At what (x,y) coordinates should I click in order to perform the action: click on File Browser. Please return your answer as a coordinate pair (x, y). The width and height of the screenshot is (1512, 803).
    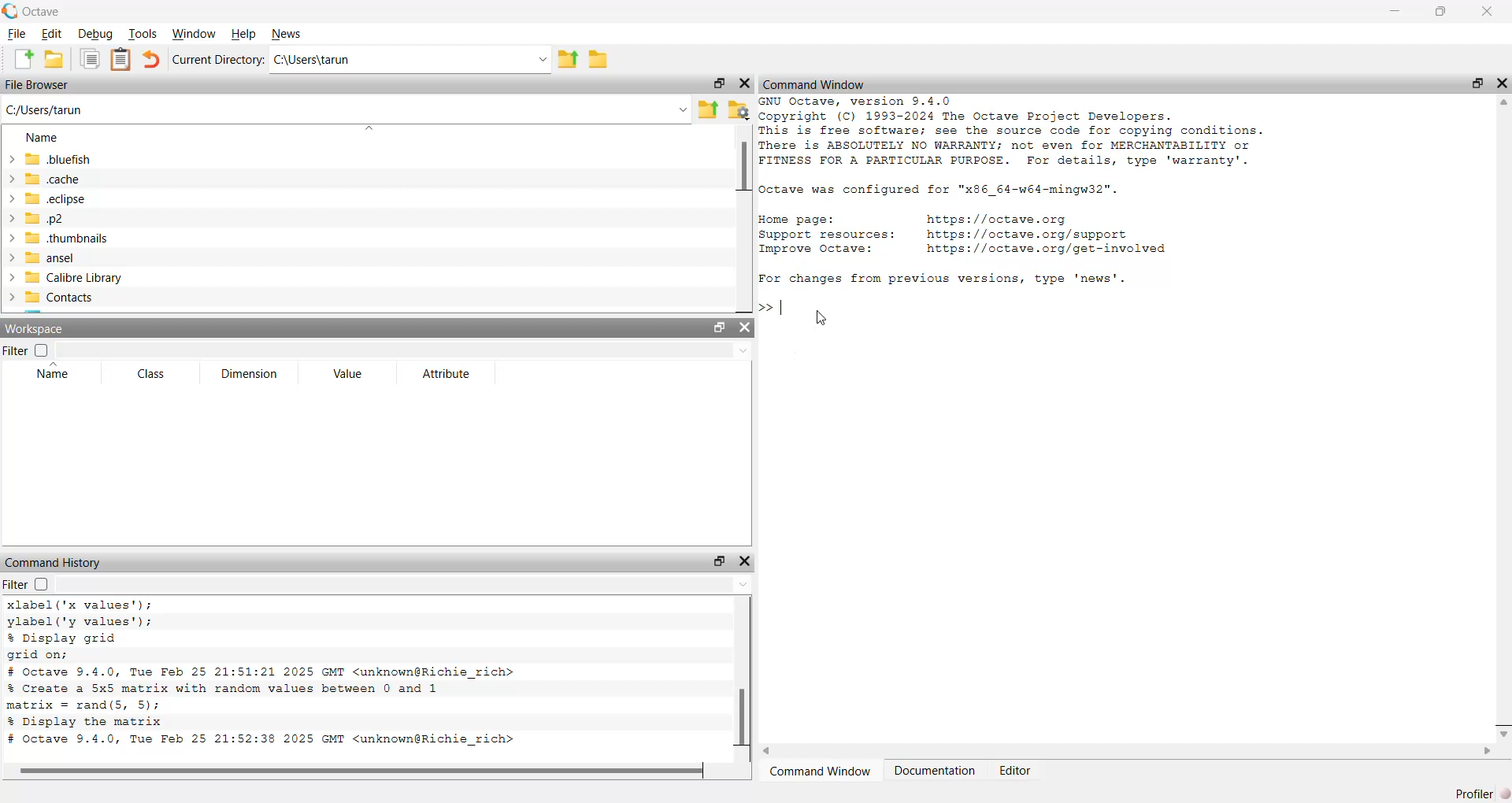
    Looking at the image, I should click on (42, 86).